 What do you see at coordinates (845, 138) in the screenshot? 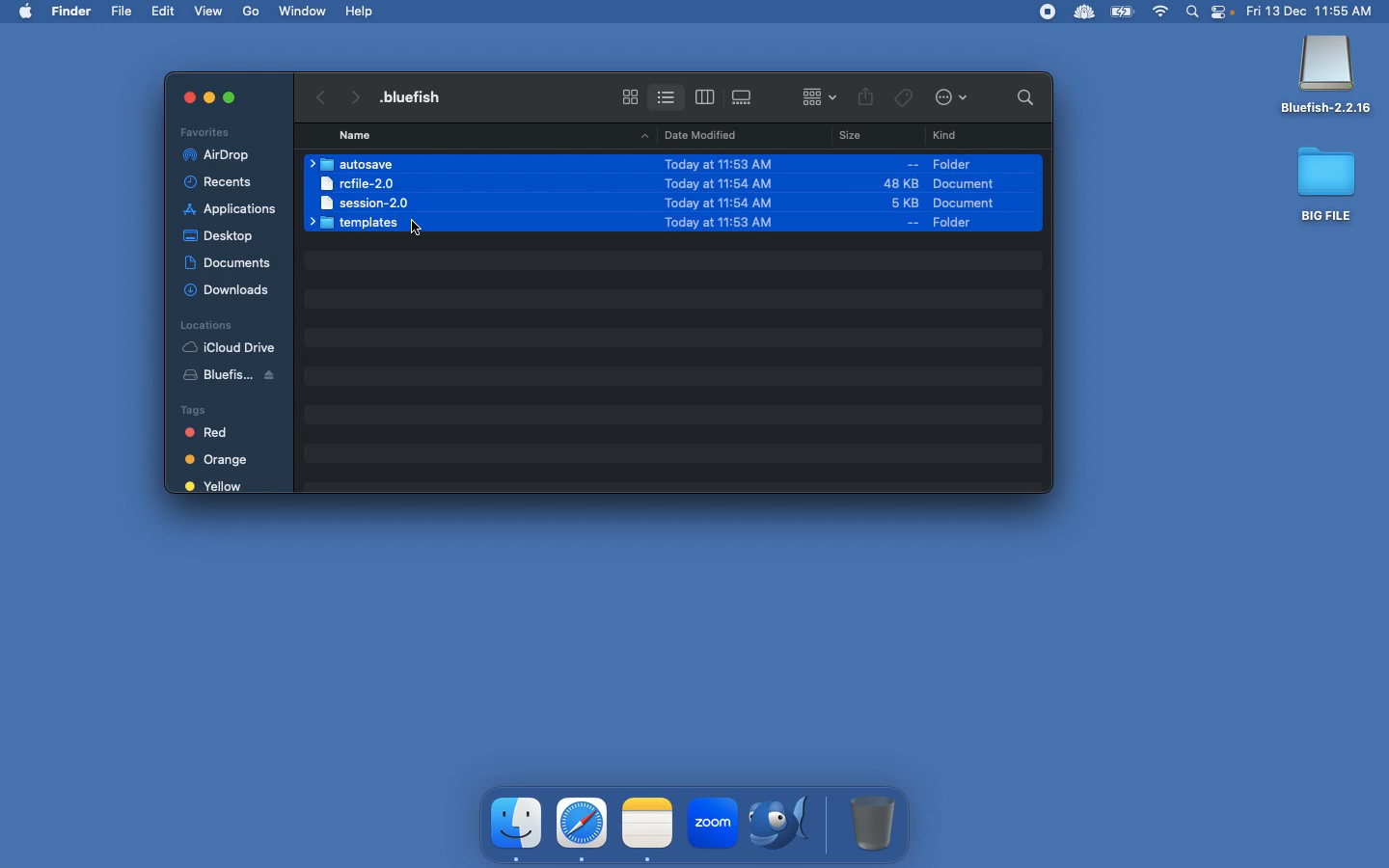
I see `size` at bounding box center [845, 138].